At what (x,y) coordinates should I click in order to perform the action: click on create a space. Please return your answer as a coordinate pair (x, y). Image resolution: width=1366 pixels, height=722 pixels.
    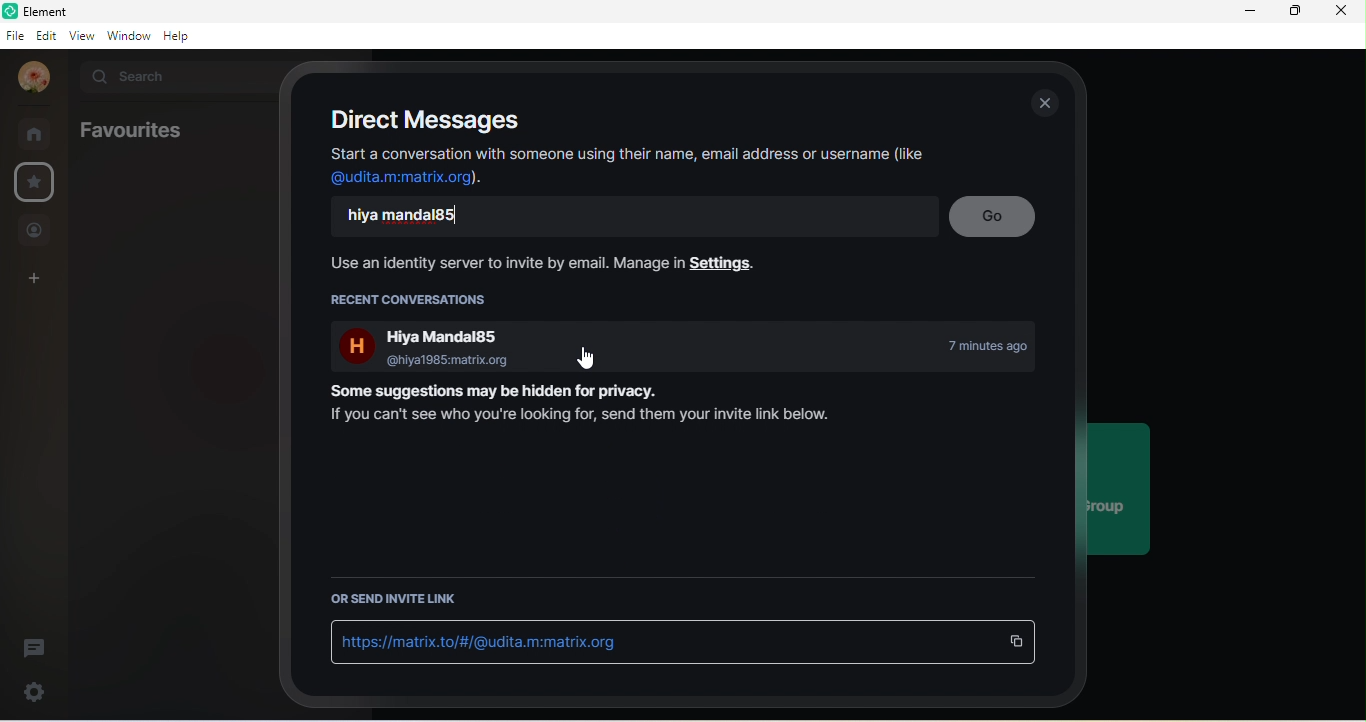
    Looking at the image, I should click on (35, 279).